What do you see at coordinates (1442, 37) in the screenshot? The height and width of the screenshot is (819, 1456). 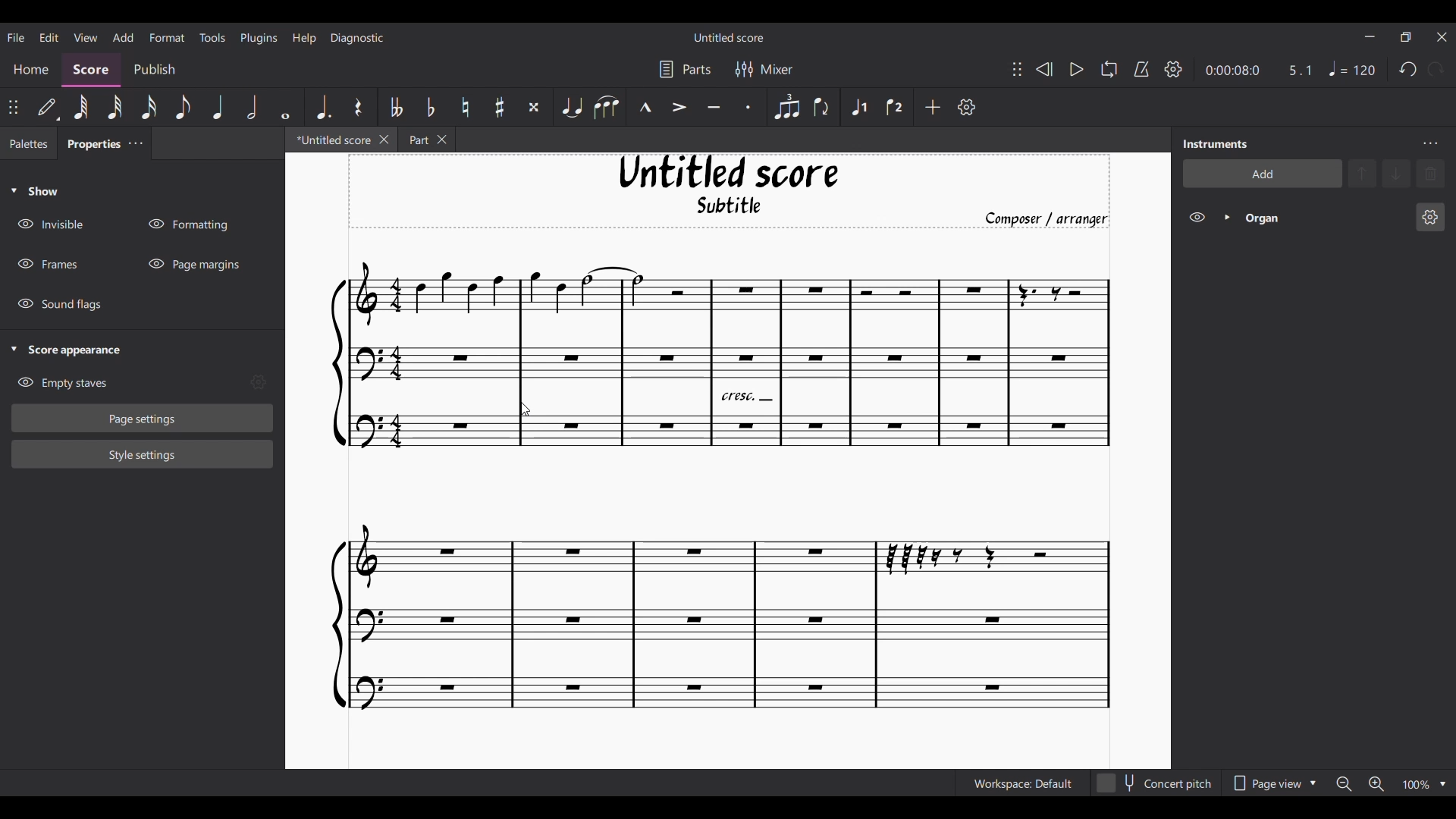 I see `Close interface` at bounding box center [1442, 37].